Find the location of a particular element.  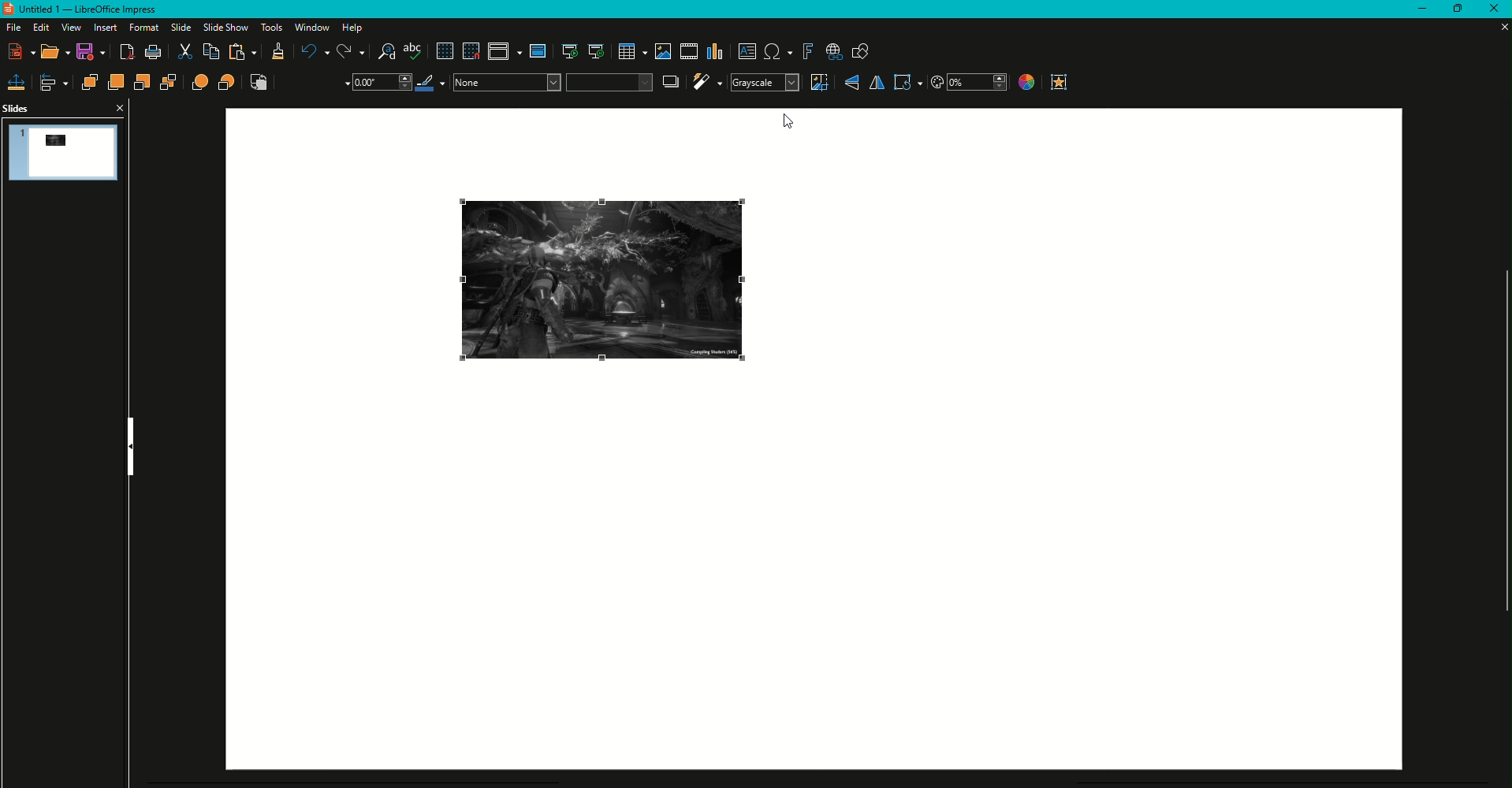

Copy is located at coordinates (210, 52).